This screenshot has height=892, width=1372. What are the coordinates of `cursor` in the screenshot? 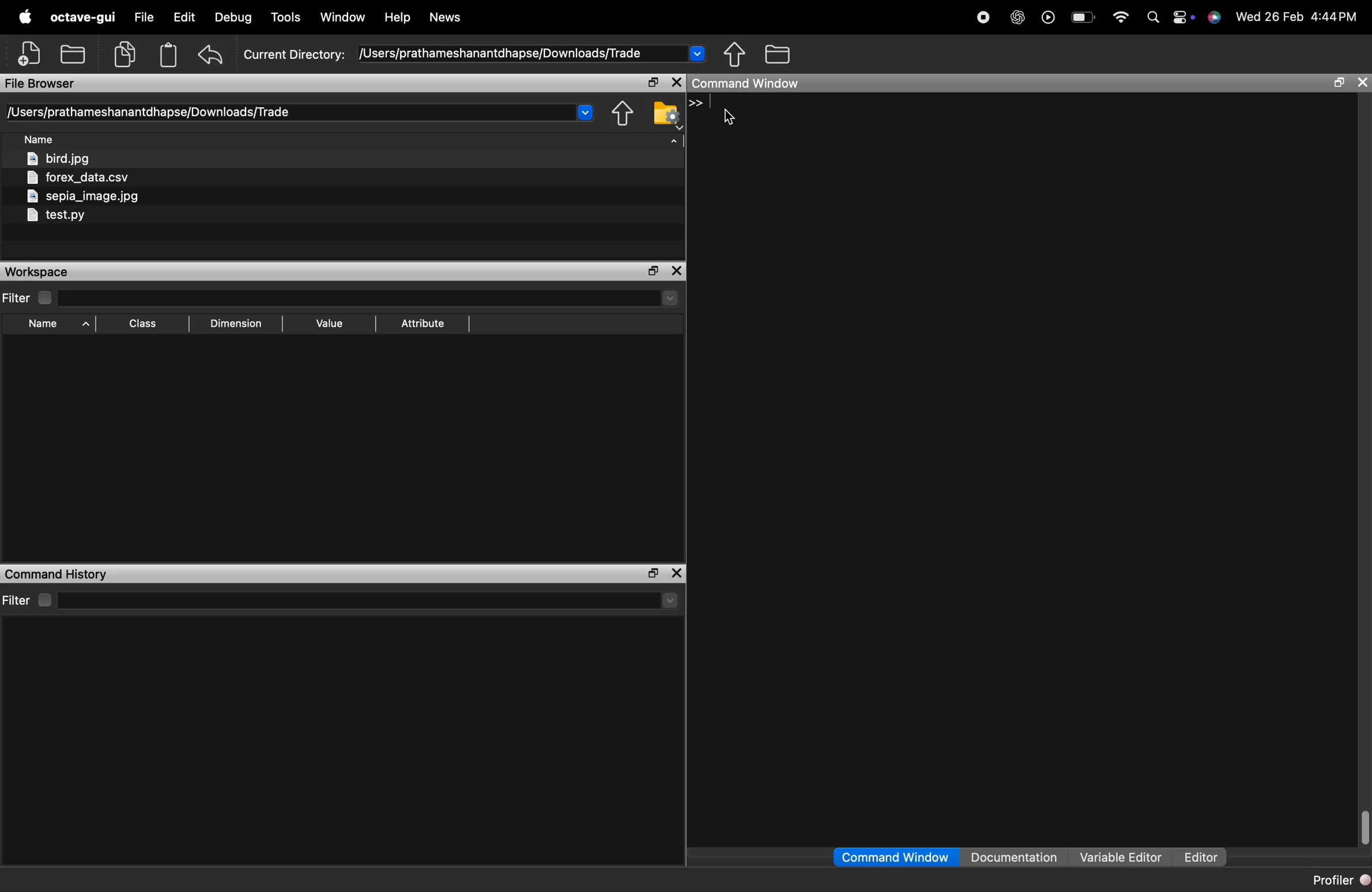 It's located at (729, 118).